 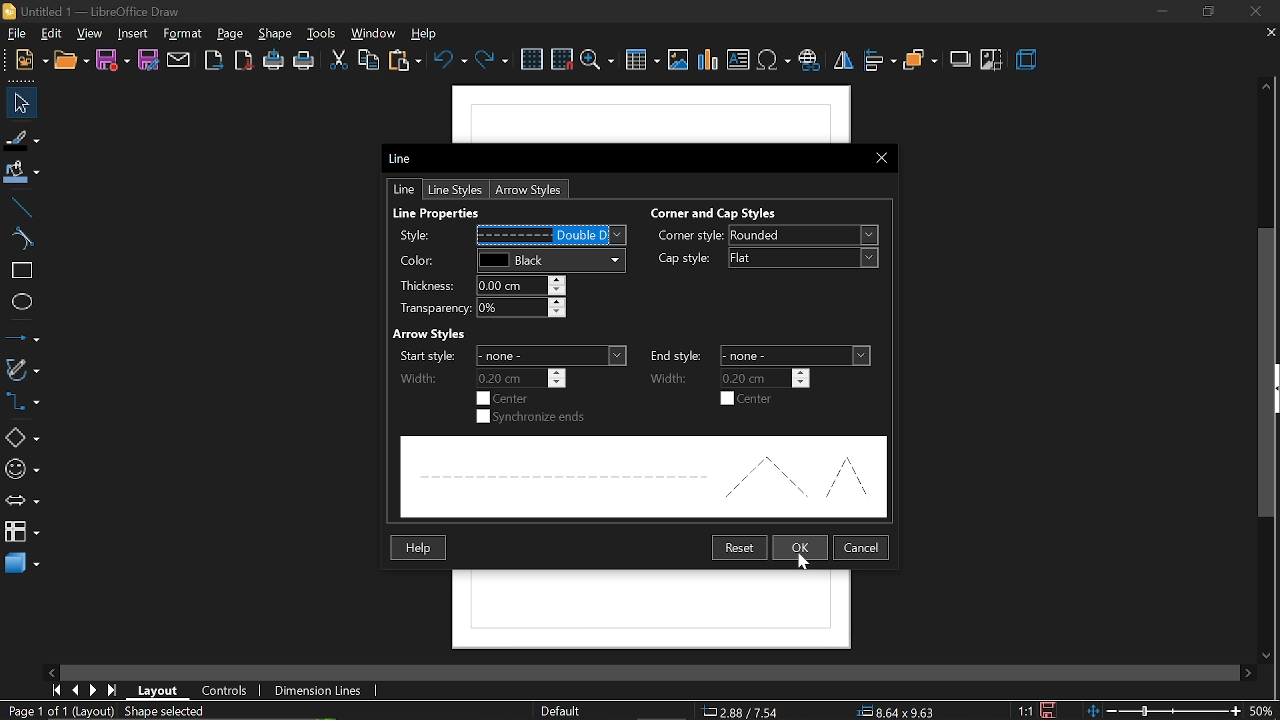 What do you see at coordinates (21, 301) in the screenshot?
I see `ellipse` at bounding box center [21, 301].